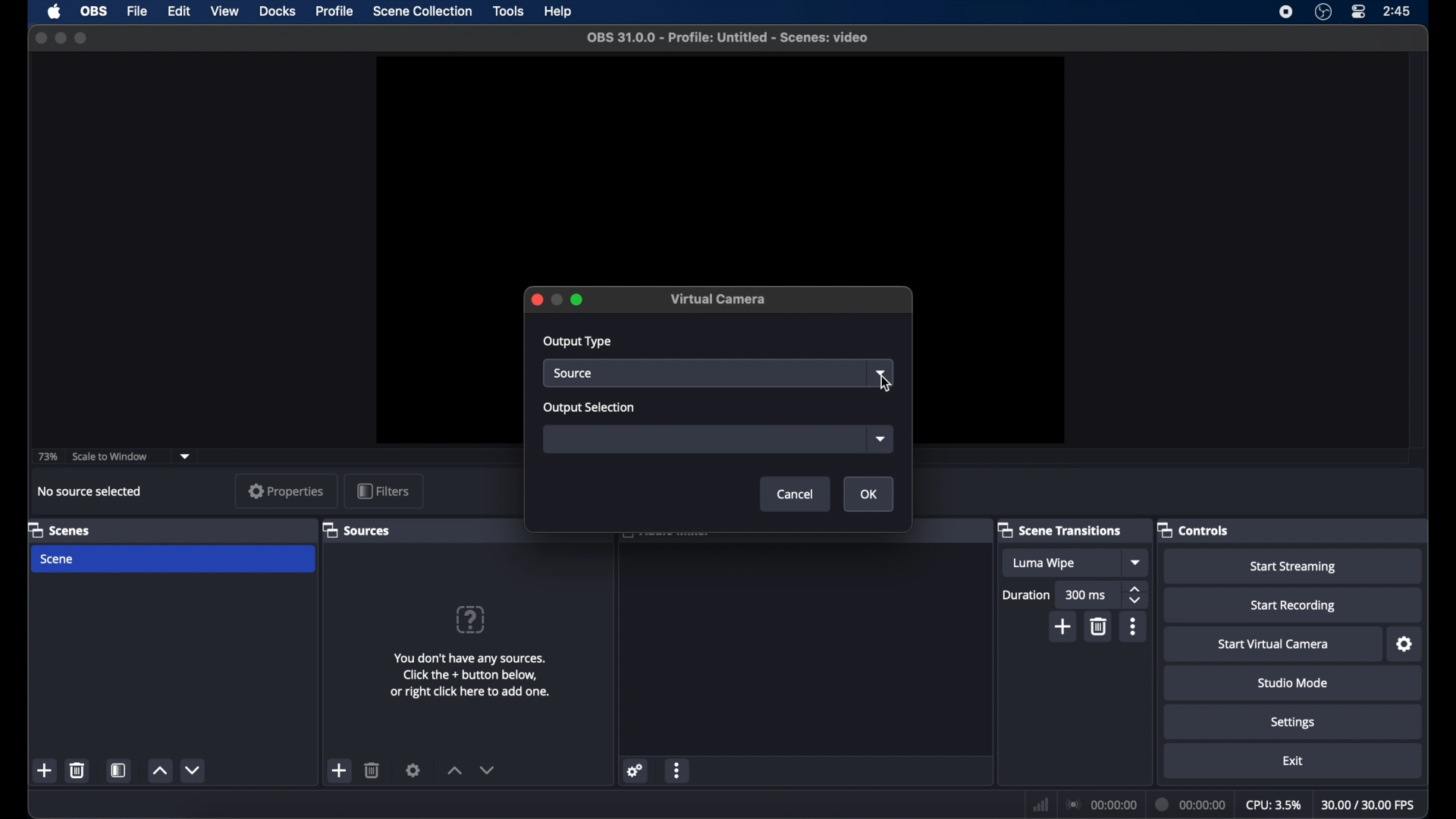  I want to click on dropdown, so click(1137, 562).